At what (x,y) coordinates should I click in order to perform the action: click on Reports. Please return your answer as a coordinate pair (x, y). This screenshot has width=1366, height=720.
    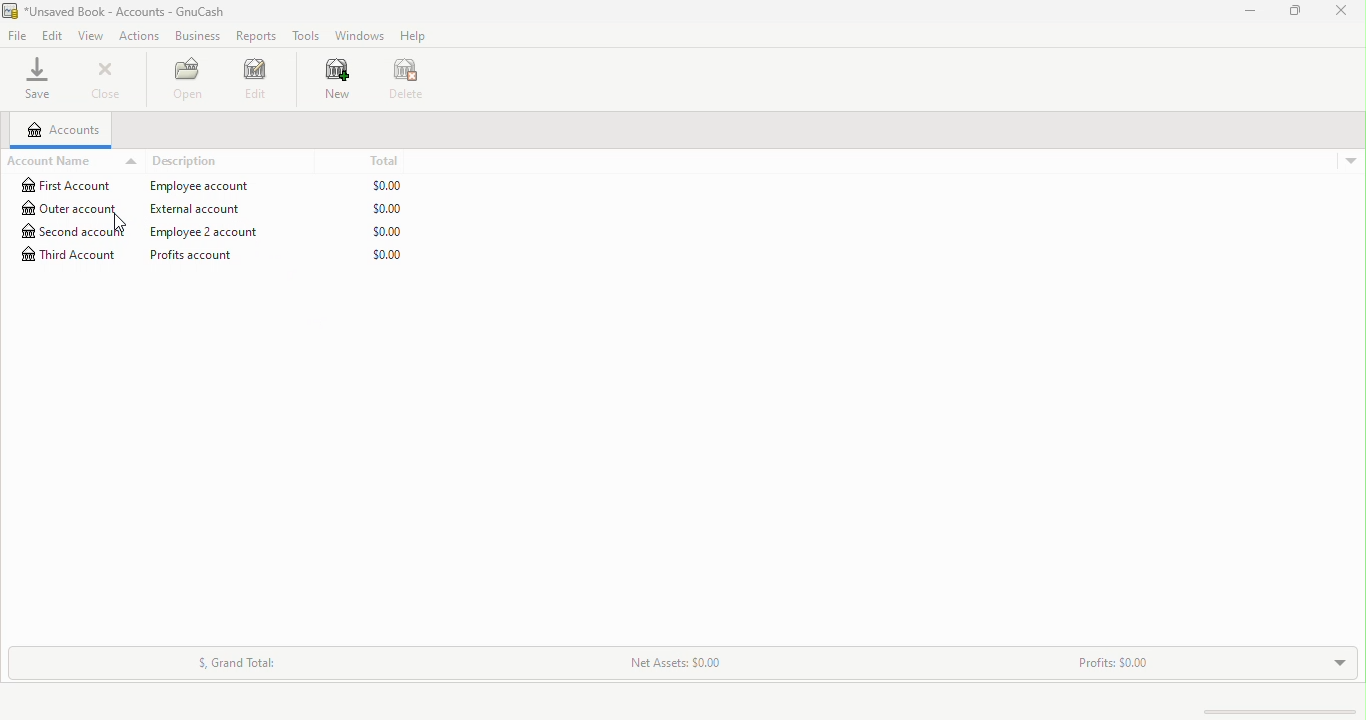
    Looking at the image, I should click on (255, 35).